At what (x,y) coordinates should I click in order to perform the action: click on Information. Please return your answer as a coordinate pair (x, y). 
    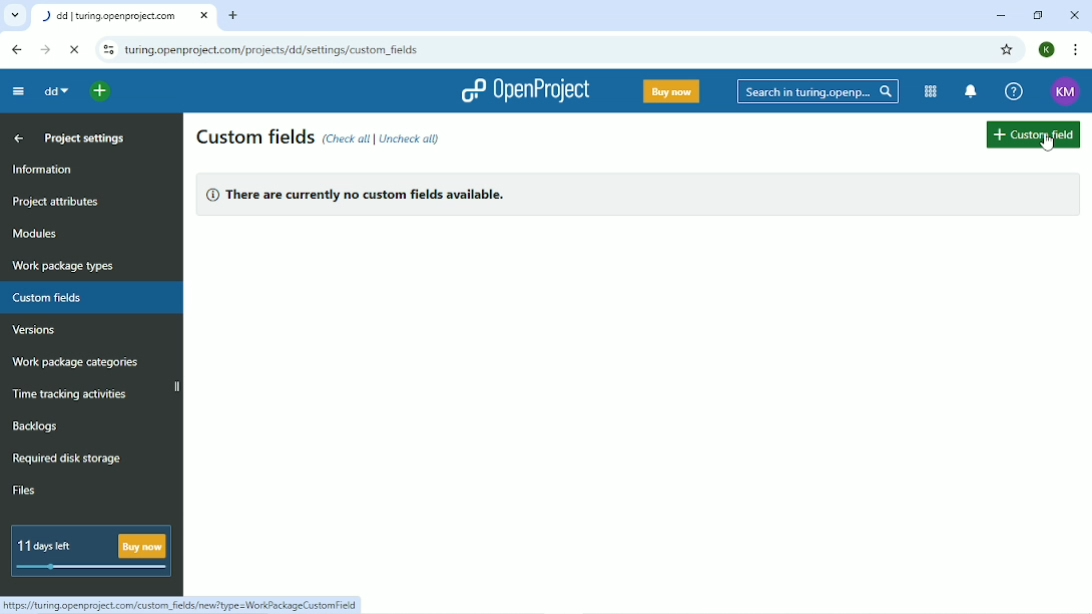
    Looking at the image, I should click on (42, 167).